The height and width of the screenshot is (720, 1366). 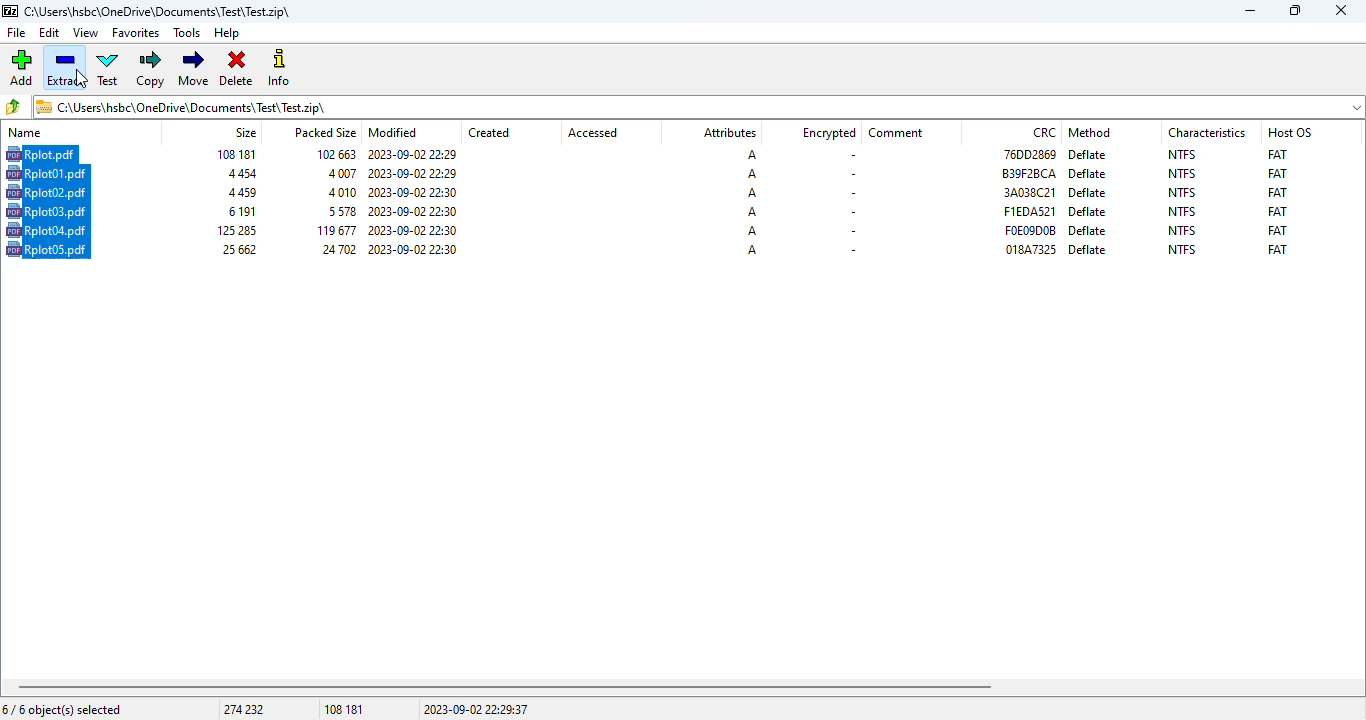 I want to click on move, so click(x=193, y=68).